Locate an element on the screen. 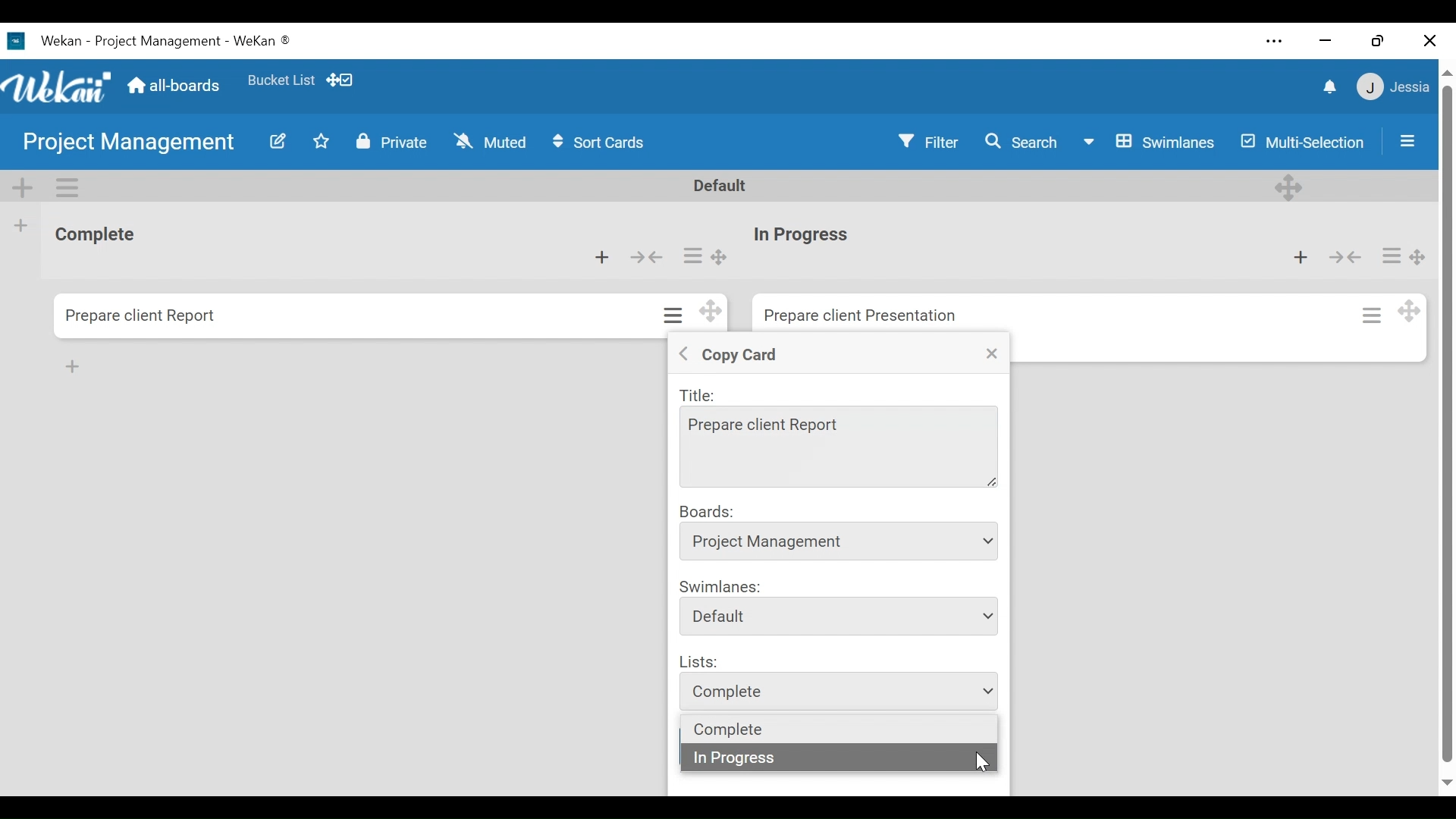 Image resolution: width=1456 pixels, height=819 pixels. Cursor is located at coordinates (986, 761).